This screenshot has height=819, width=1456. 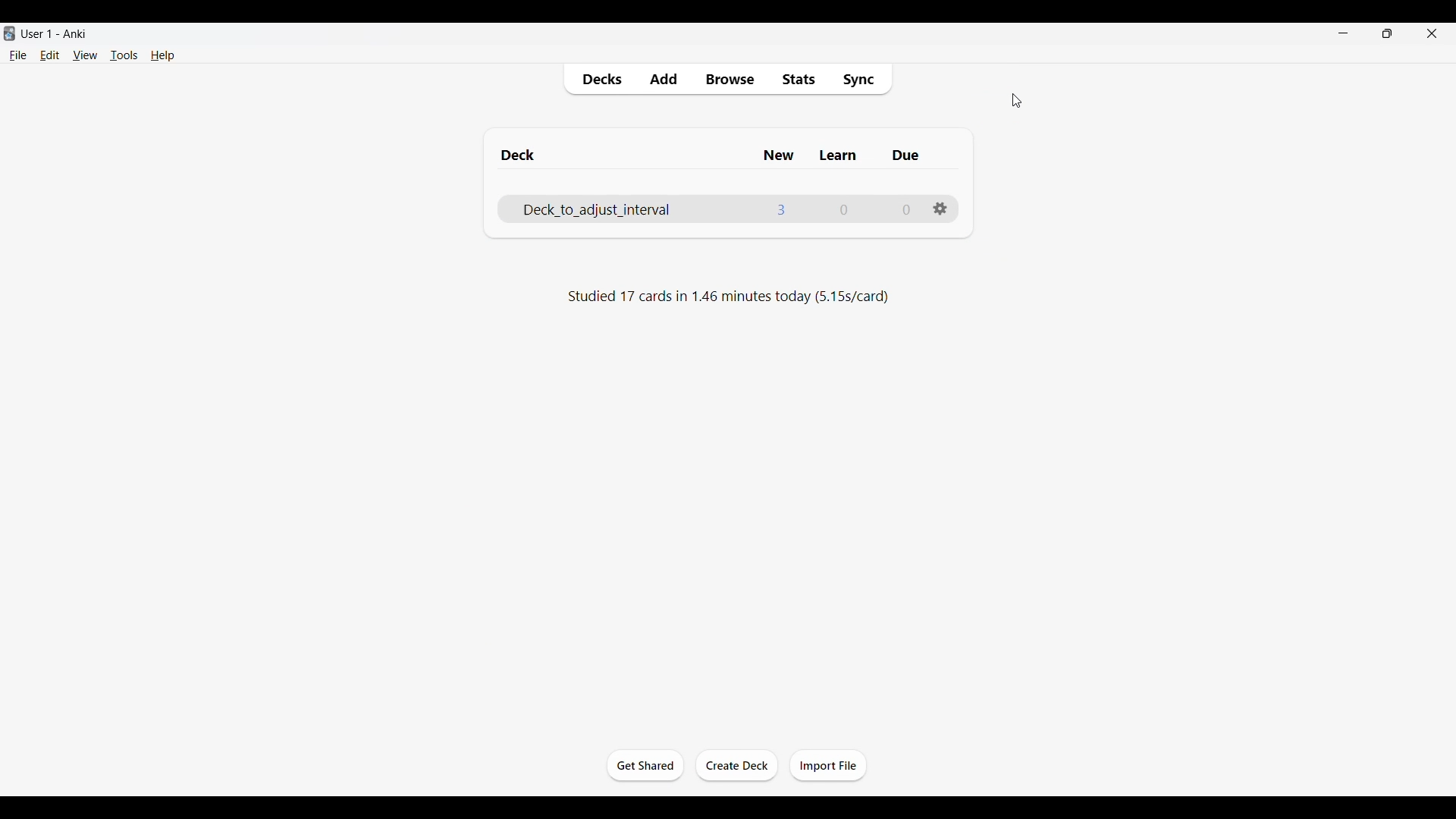 I want to click on Number of cards to learn, so click(x=842, y=209).